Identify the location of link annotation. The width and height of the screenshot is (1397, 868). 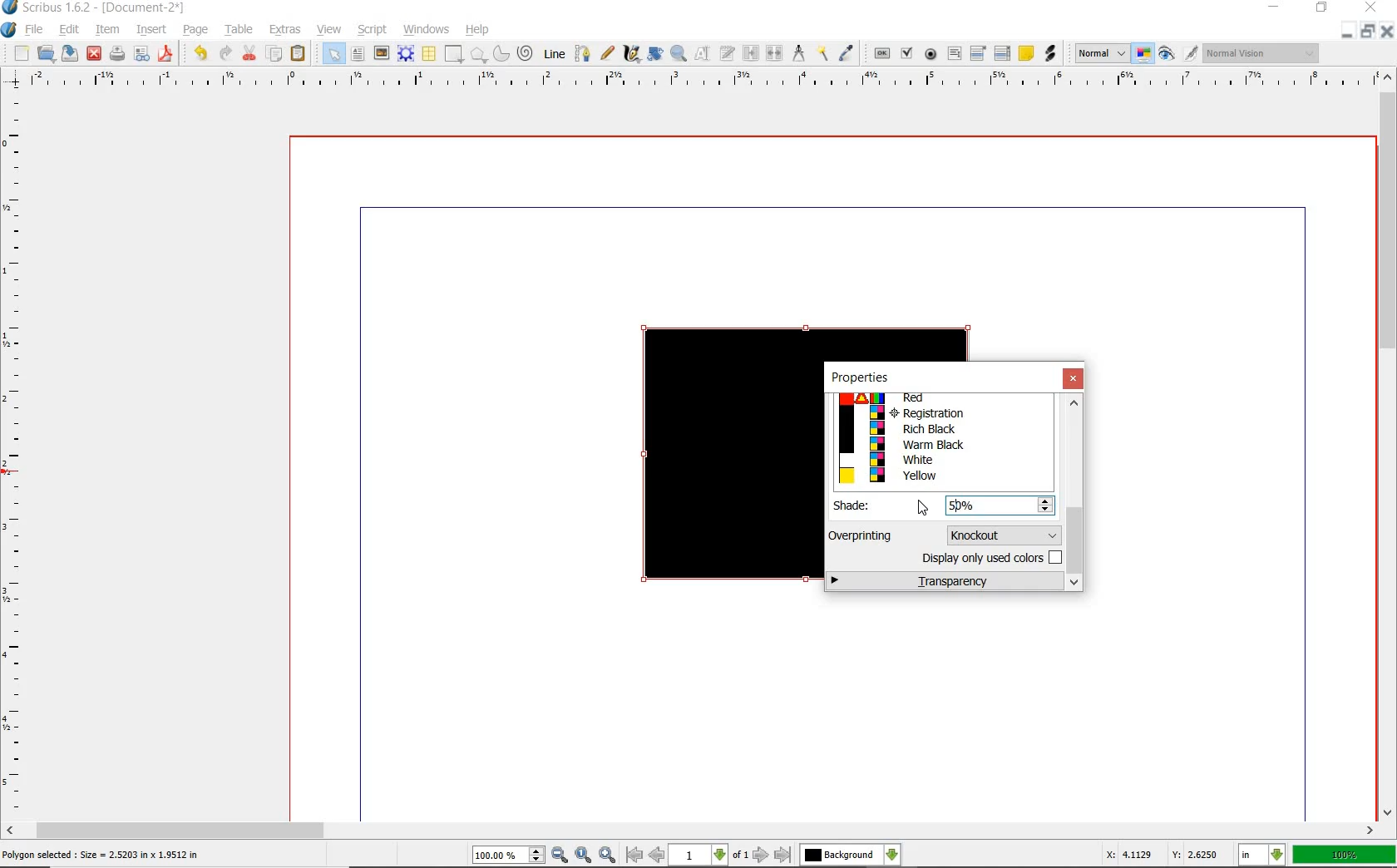
(1050, 54).